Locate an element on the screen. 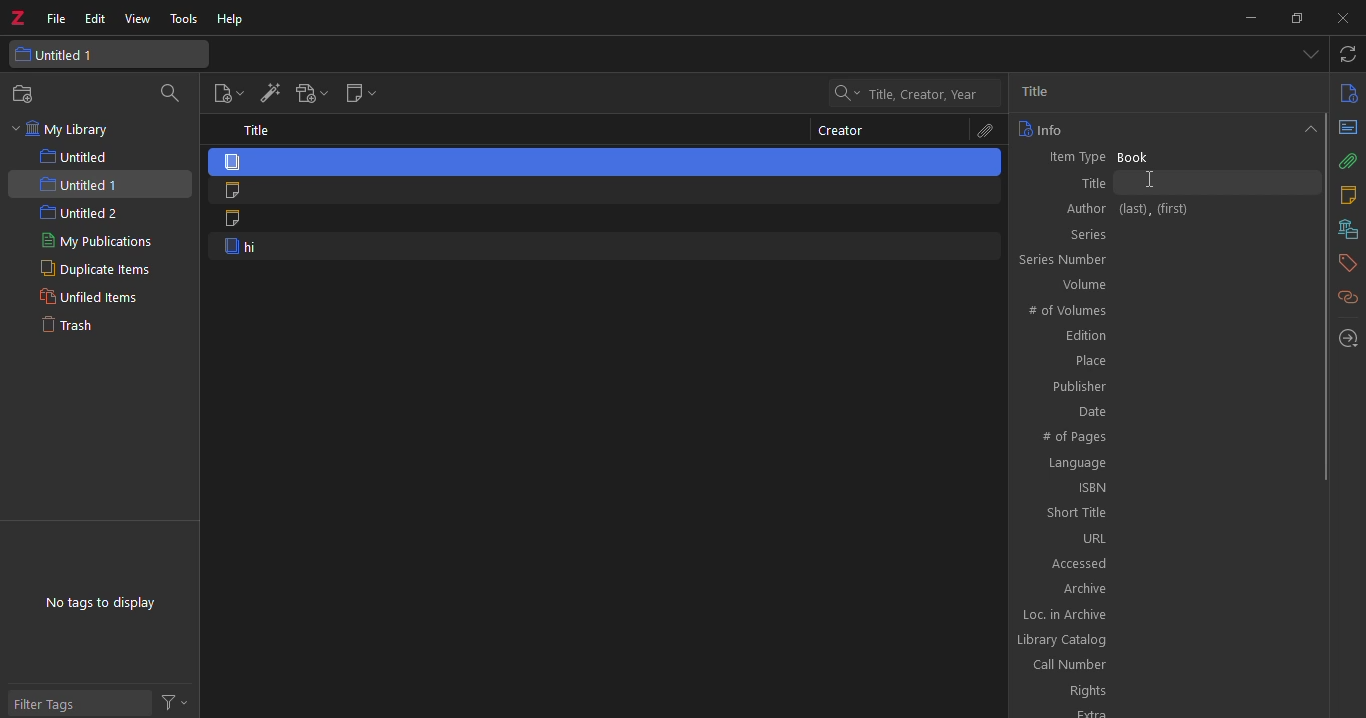 Image resolution: width=1366 pixels, height=718 pixels. untitled 1 is located at coordinates (99, 184).